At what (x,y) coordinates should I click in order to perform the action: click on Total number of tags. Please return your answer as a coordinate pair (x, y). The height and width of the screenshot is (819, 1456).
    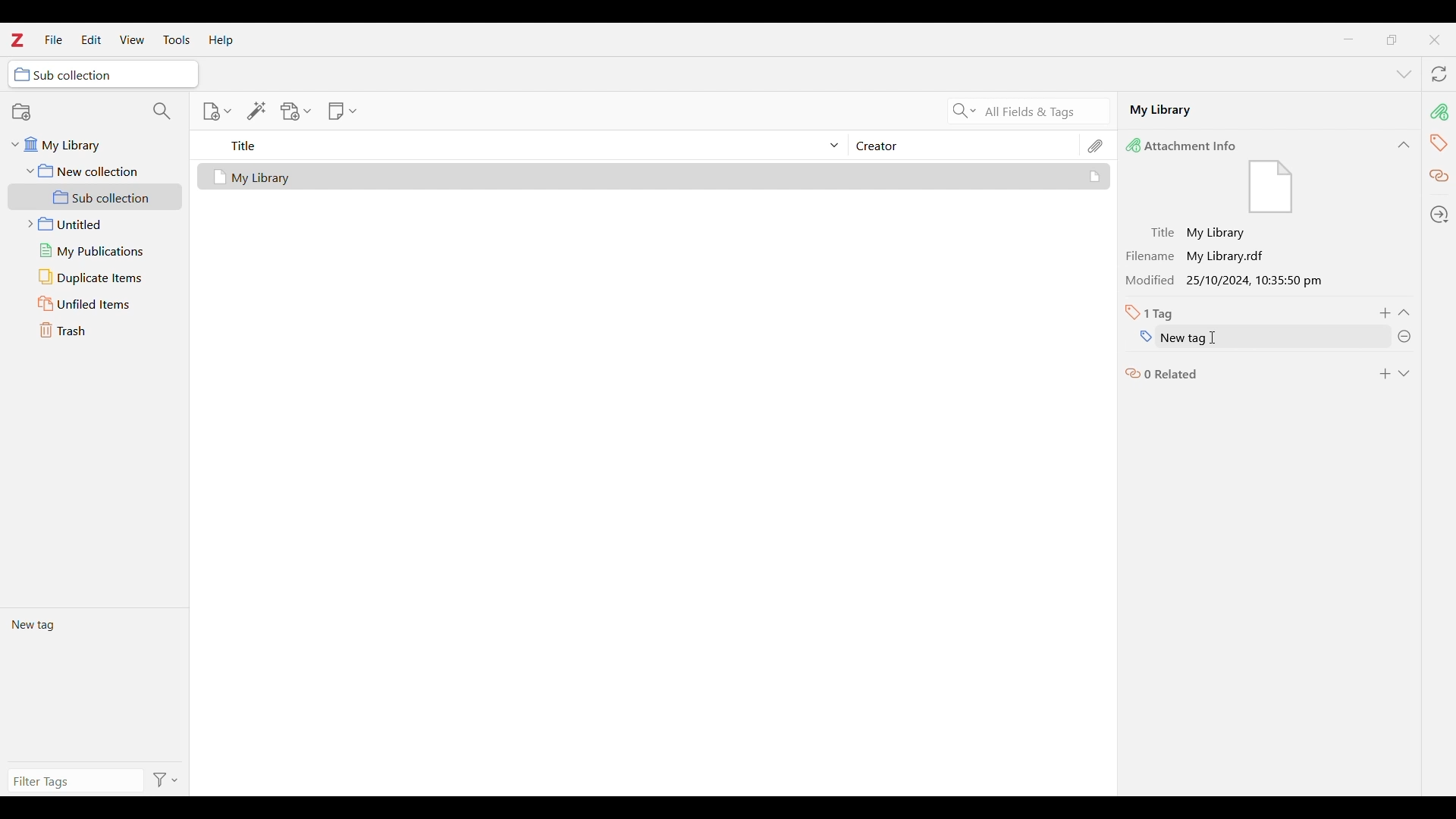
    Looking at the image, I should click on (1150, 312).